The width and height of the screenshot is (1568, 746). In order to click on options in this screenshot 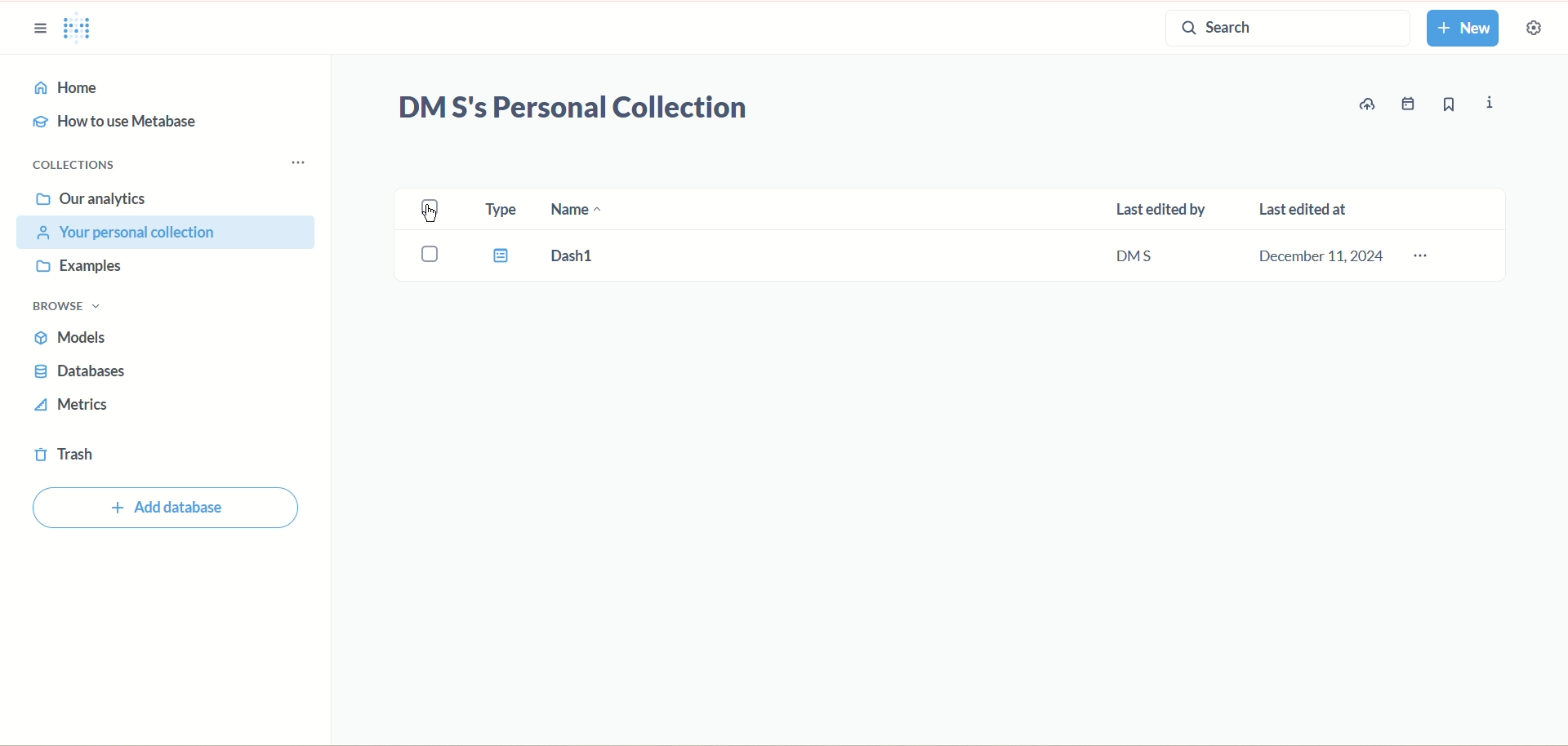, I will do `click(1419, 255)`.